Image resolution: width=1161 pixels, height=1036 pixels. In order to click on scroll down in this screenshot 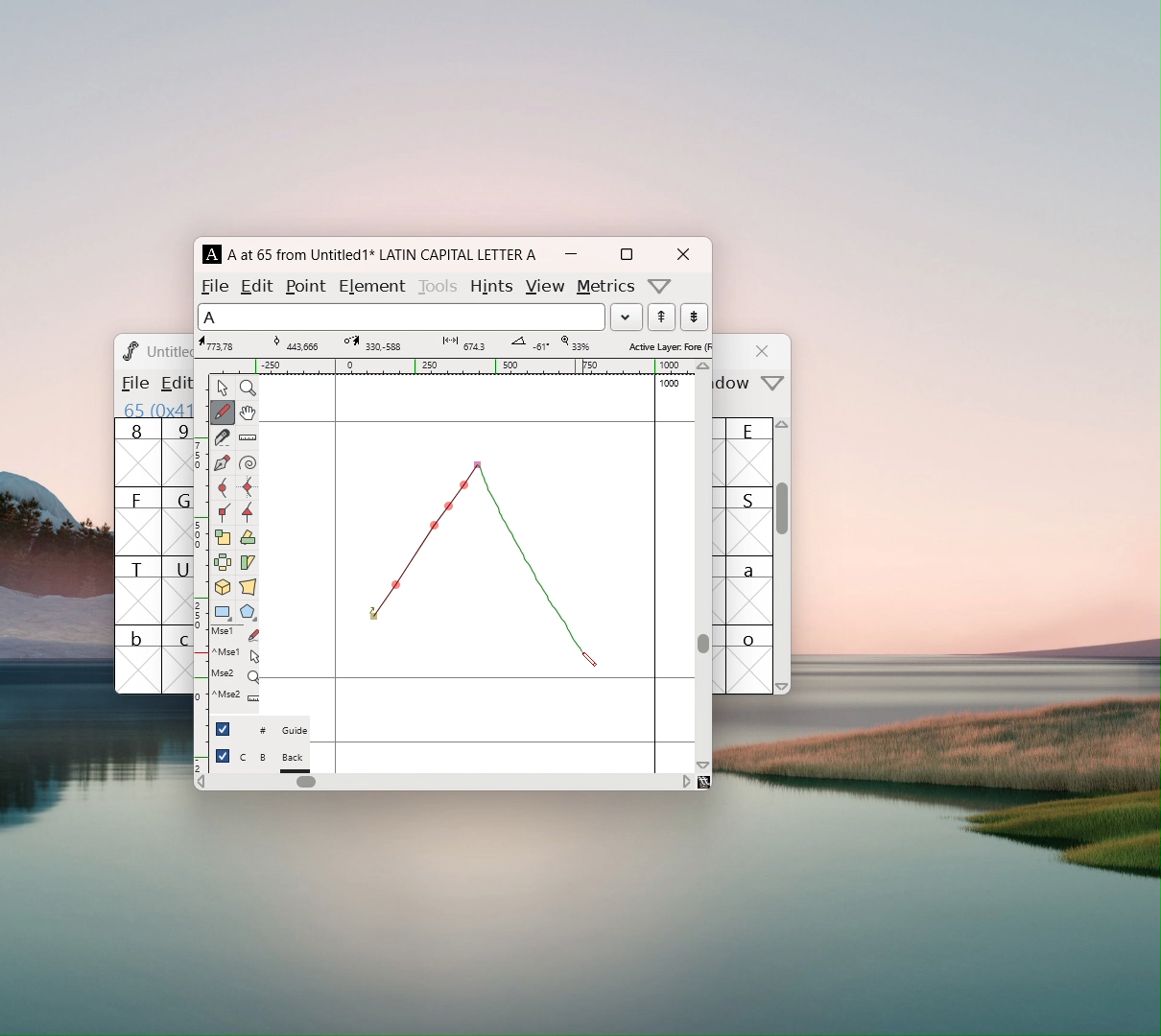, I will do `click(783, 686)`.